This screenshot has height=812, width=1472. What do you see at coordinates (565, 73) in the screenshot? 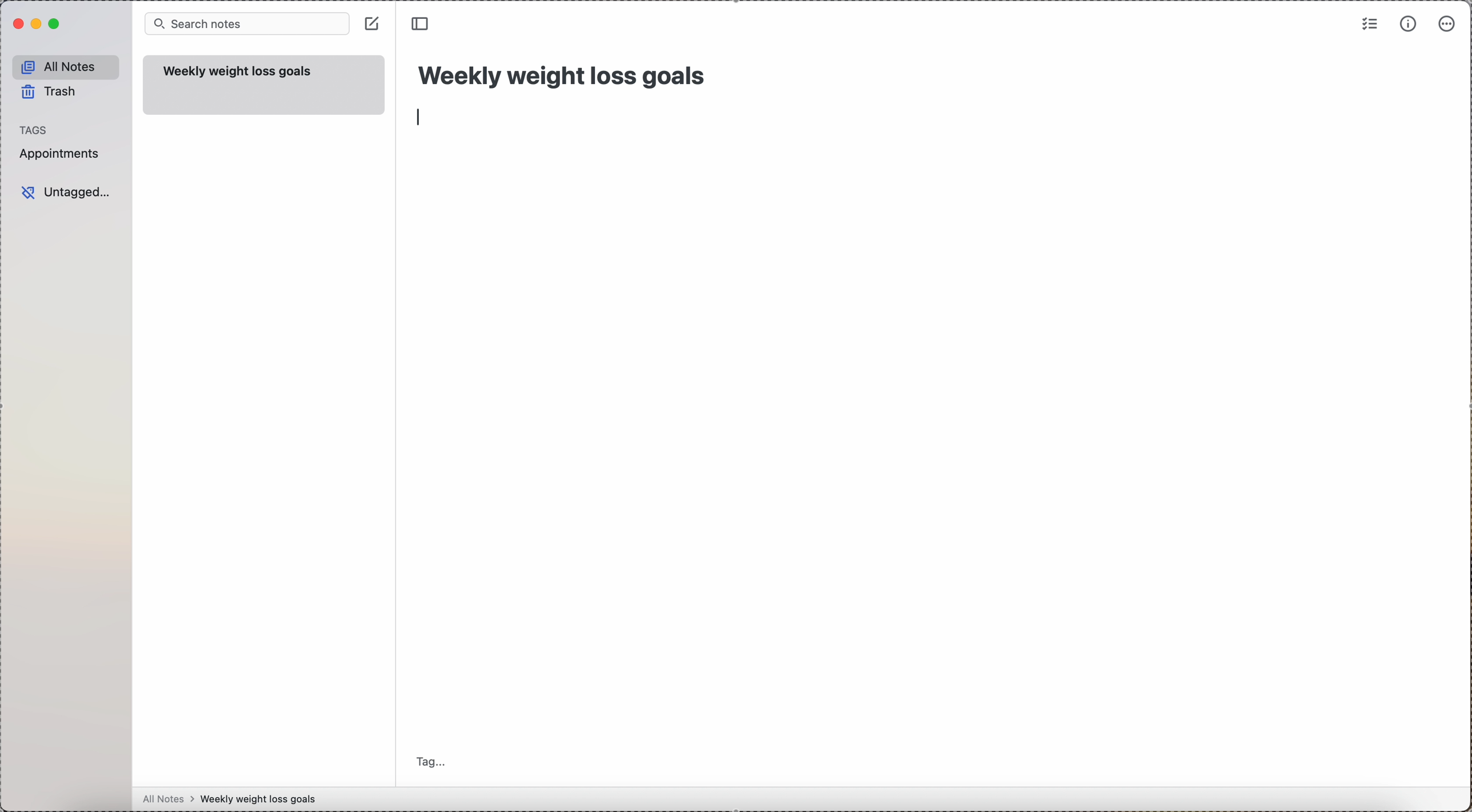
I see `title: Weekly weight loss goals` at bounding box center [565, 73].